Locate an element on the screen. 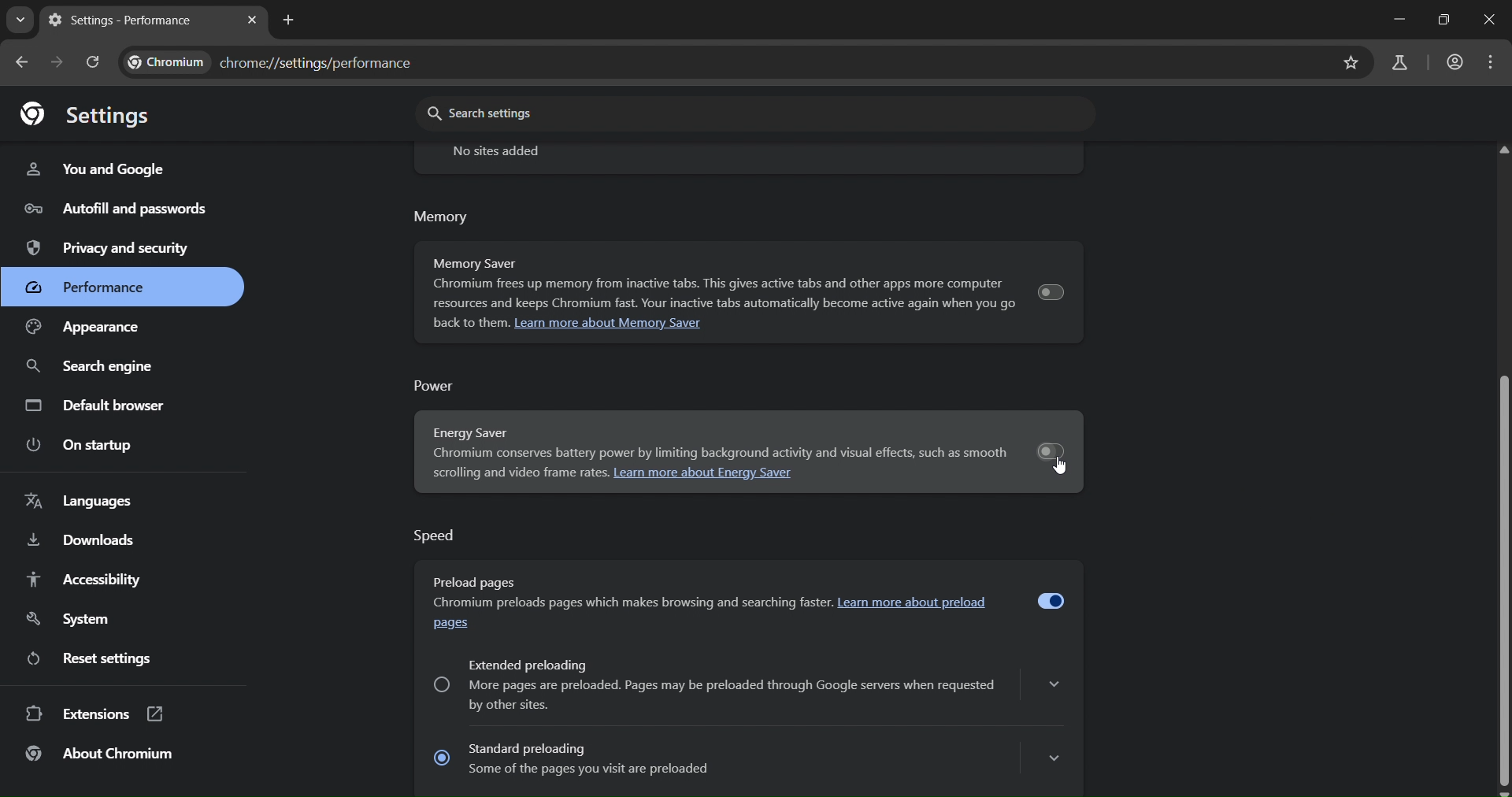 The image size is (1512, 797). settings is located at coordinates (88, 115).